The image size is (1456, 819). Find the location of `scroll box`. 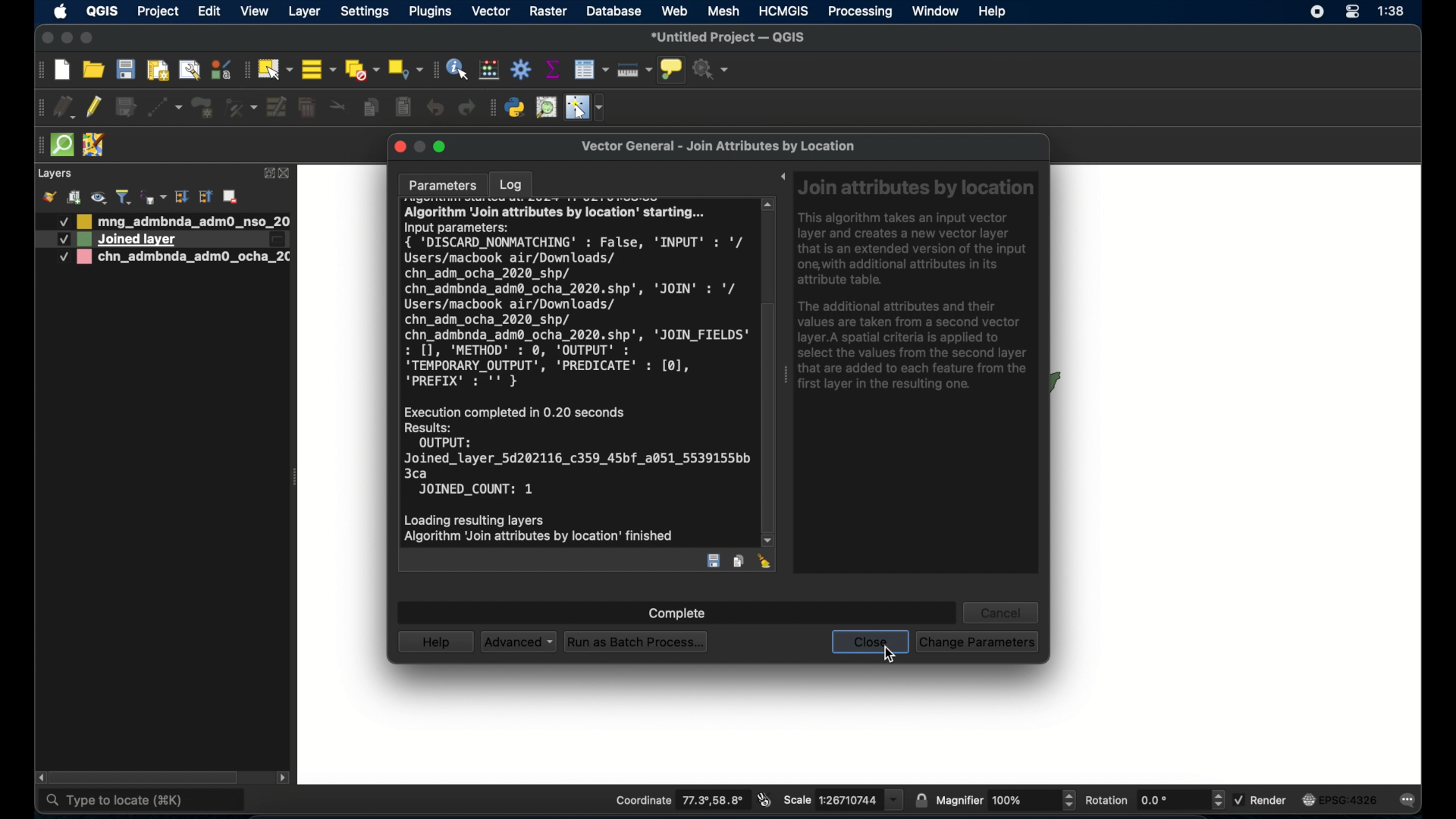

scroll box is located at coordinates (148, 777).